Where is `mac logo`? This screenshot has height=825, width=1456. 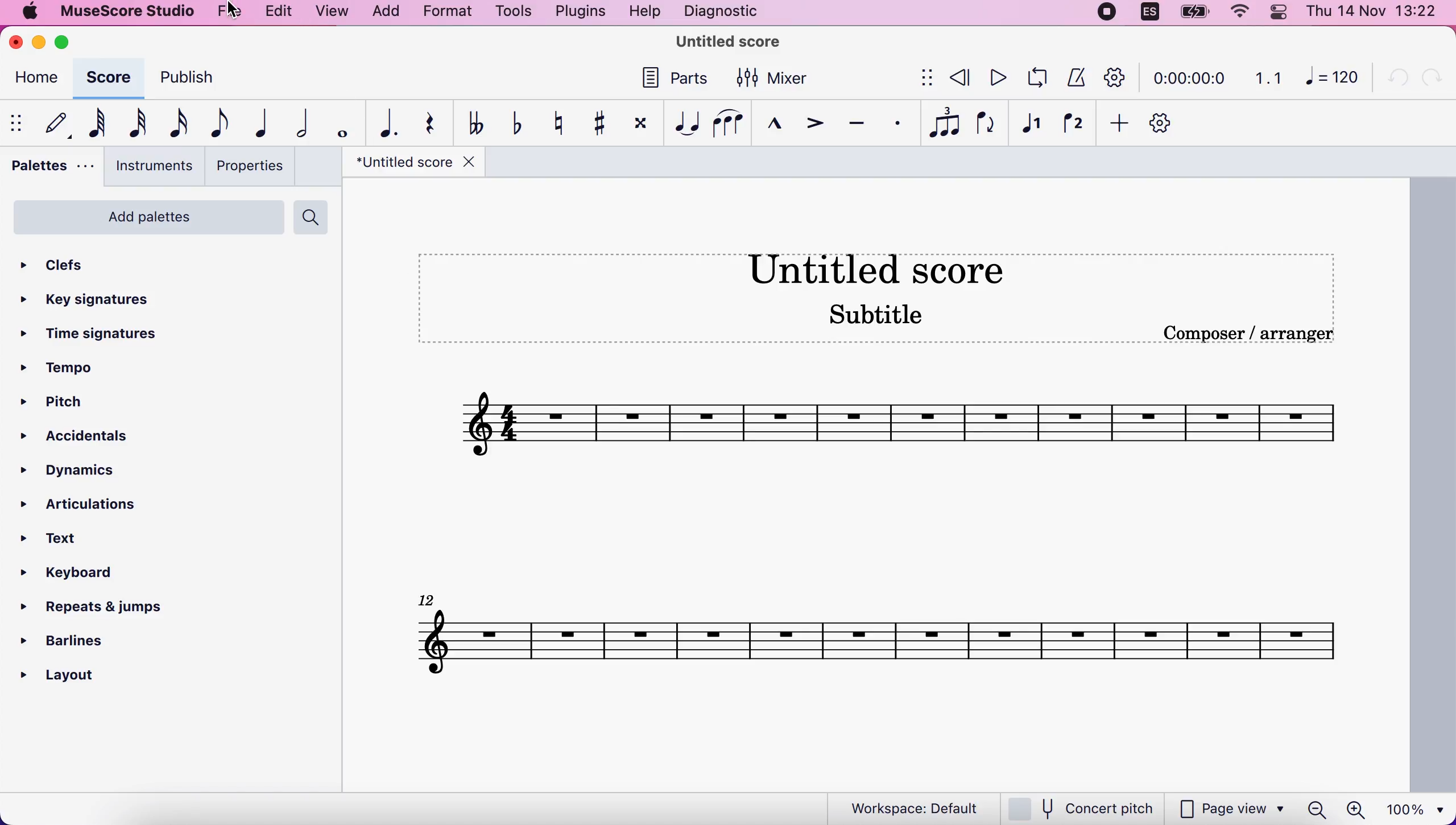 mac logo is located at coordinates (29, 13).